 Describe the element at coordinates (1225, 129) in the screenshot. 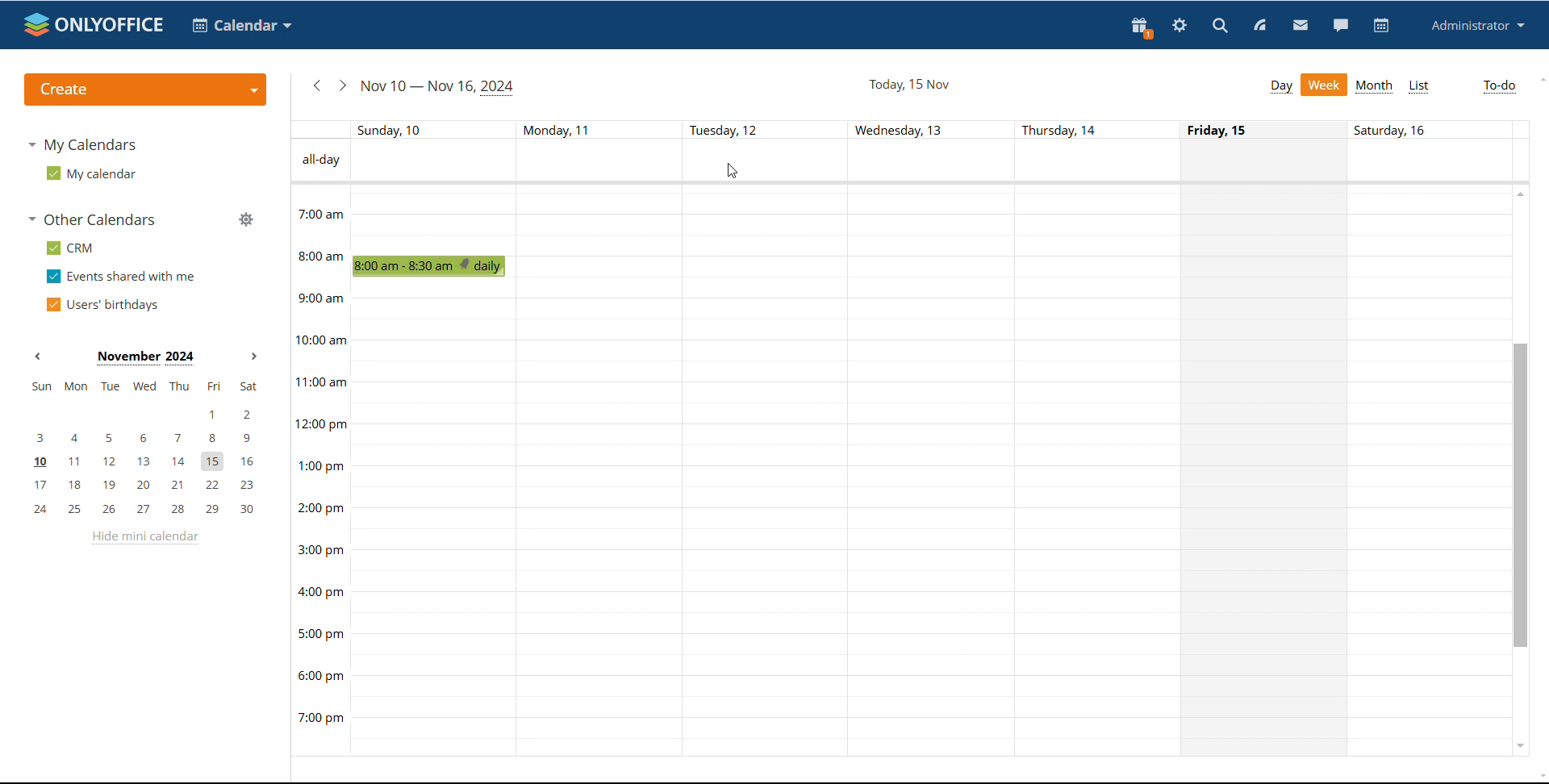

I see `text` at that location.